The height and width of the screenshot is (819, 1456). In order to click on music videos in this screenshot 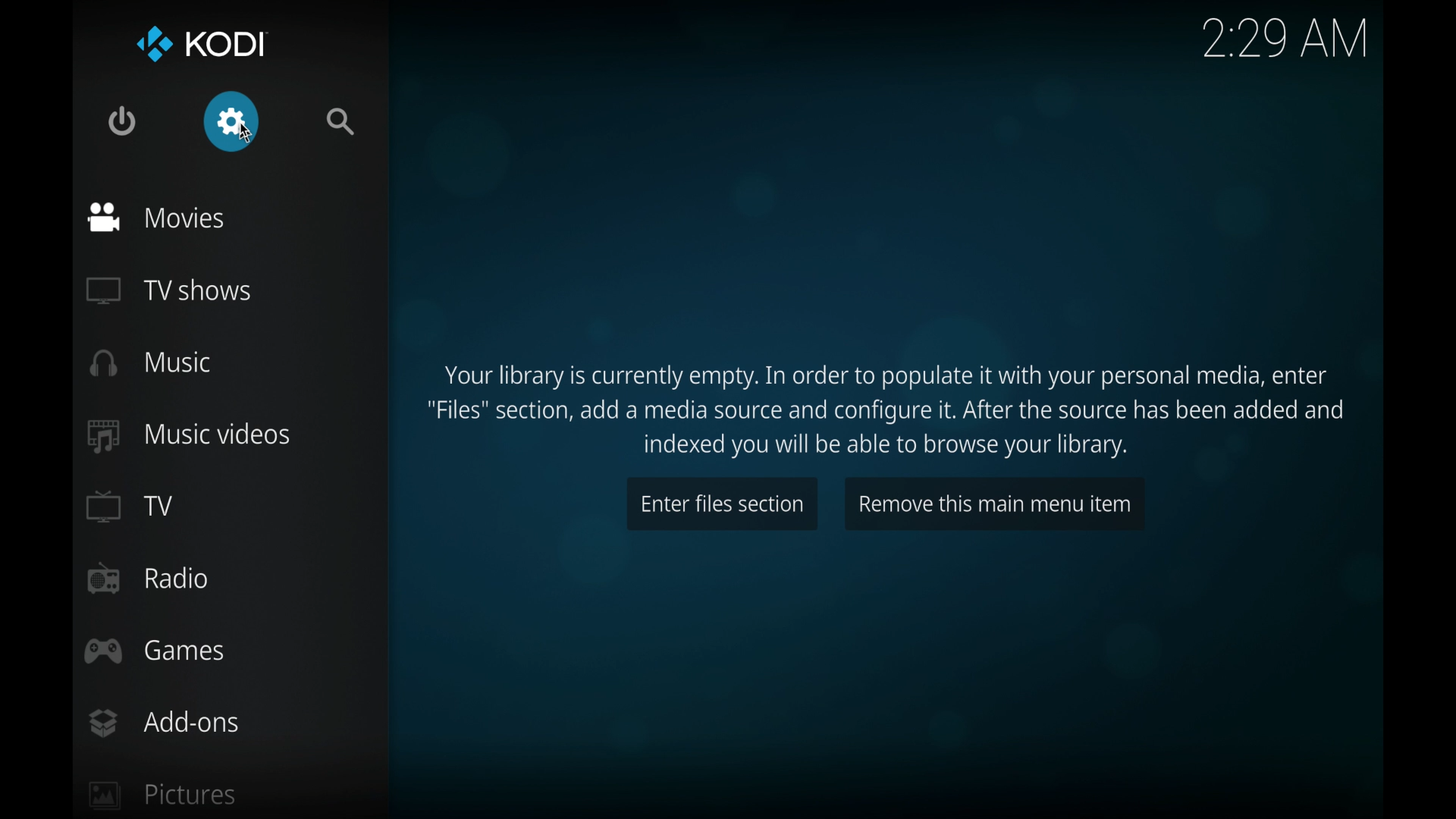, I will do `click(190, 435)`.